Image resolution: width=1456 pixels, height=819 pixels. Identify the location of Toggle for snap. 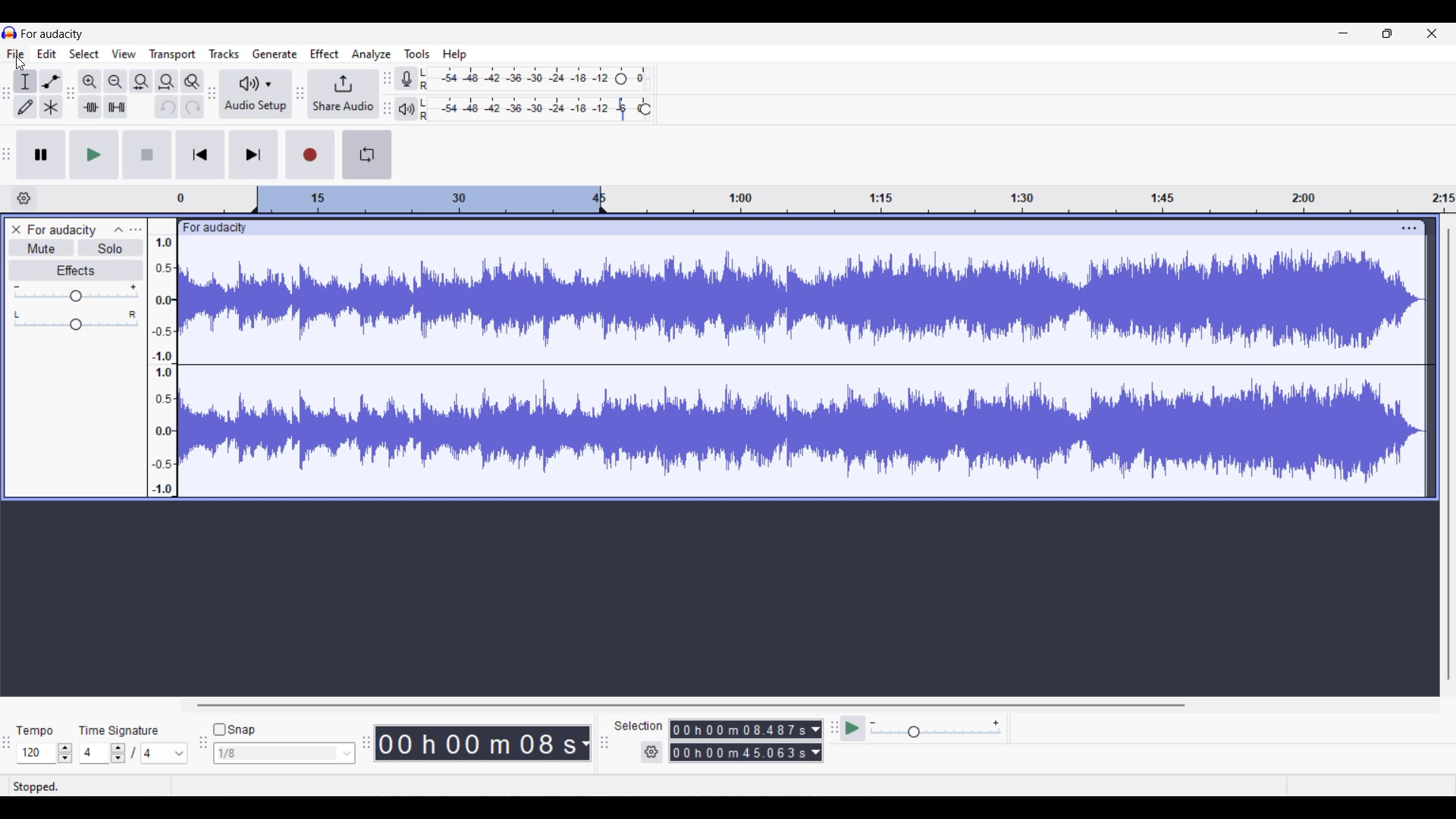
(234, 730).